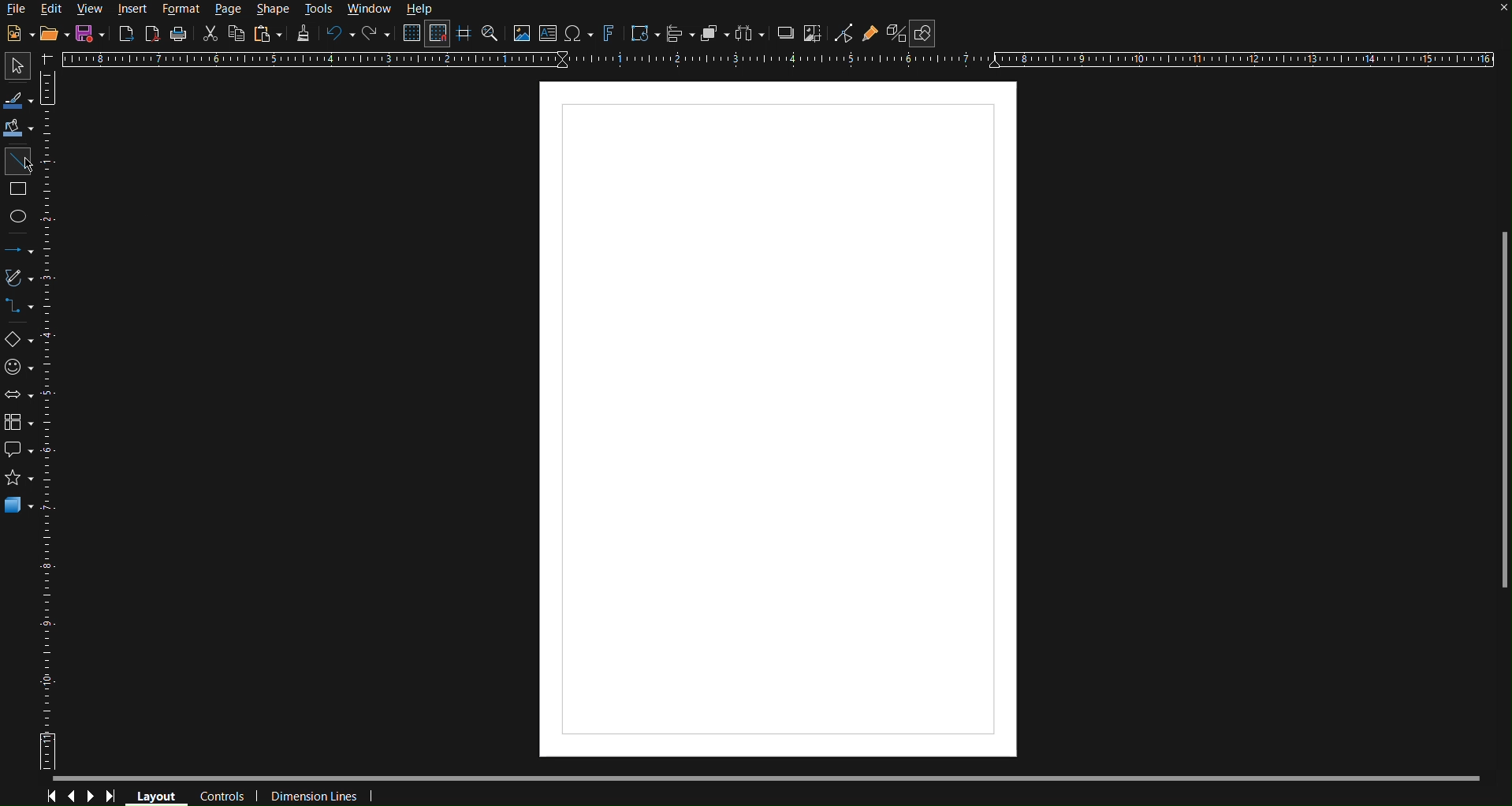  What do you see at coordinates (226, 10) in the screenshot?
I see `Page` at bounding box center [226, 10].